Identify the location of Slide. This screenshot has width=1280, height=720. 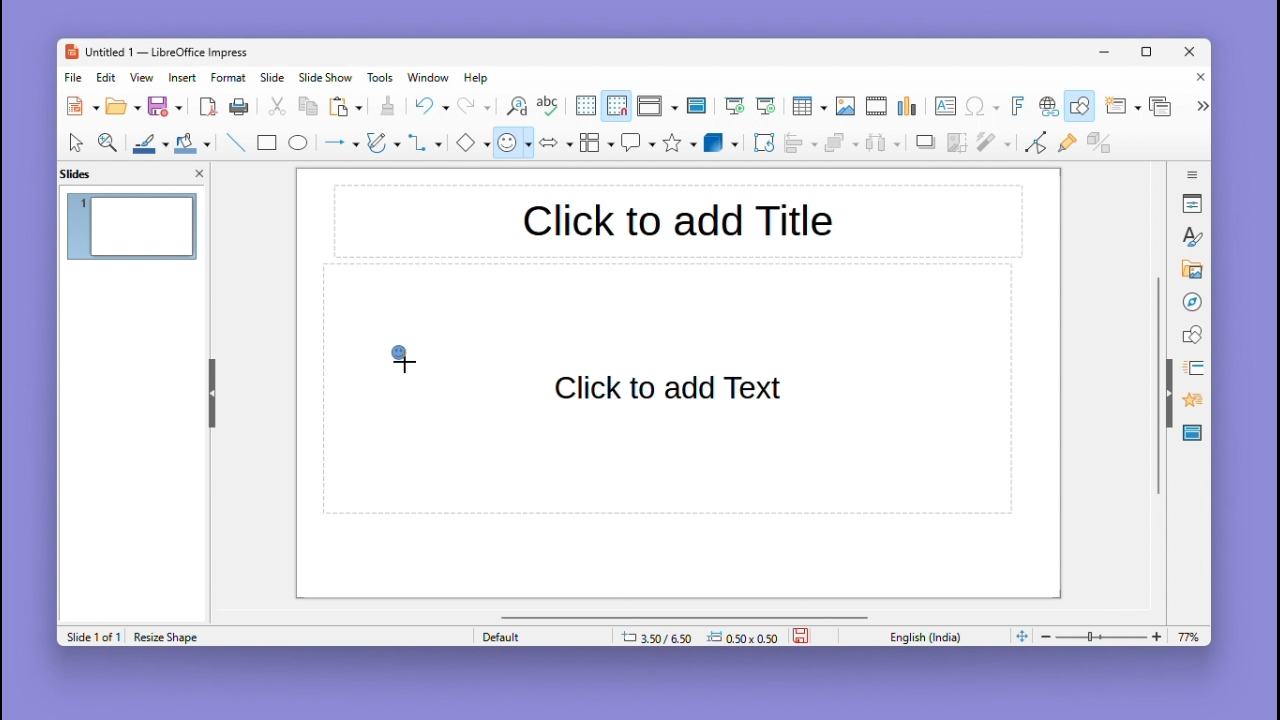
(273, 77).